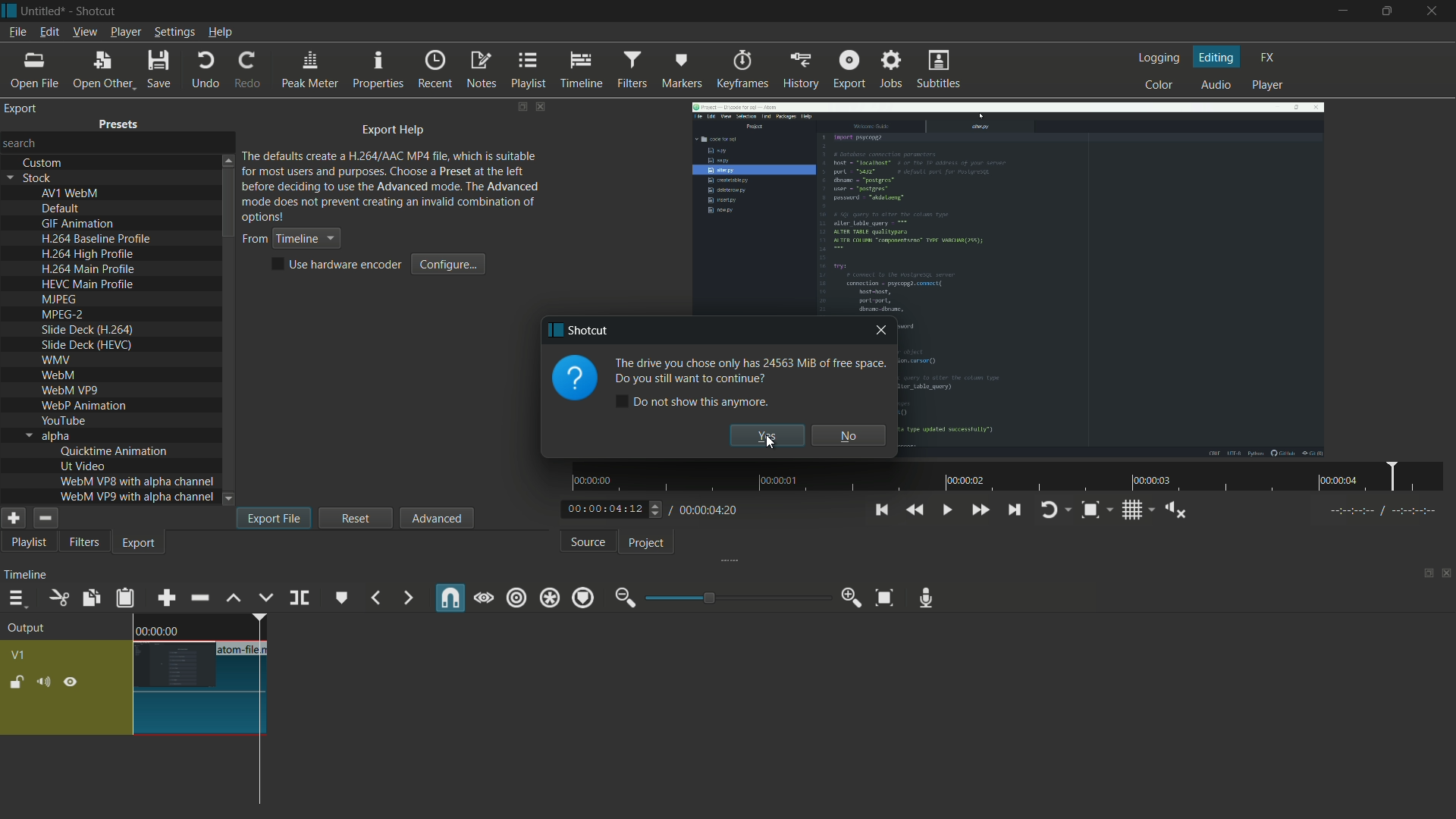 This screenshot has width=1456, height=819. I want to click on configure, so click(450, 264).